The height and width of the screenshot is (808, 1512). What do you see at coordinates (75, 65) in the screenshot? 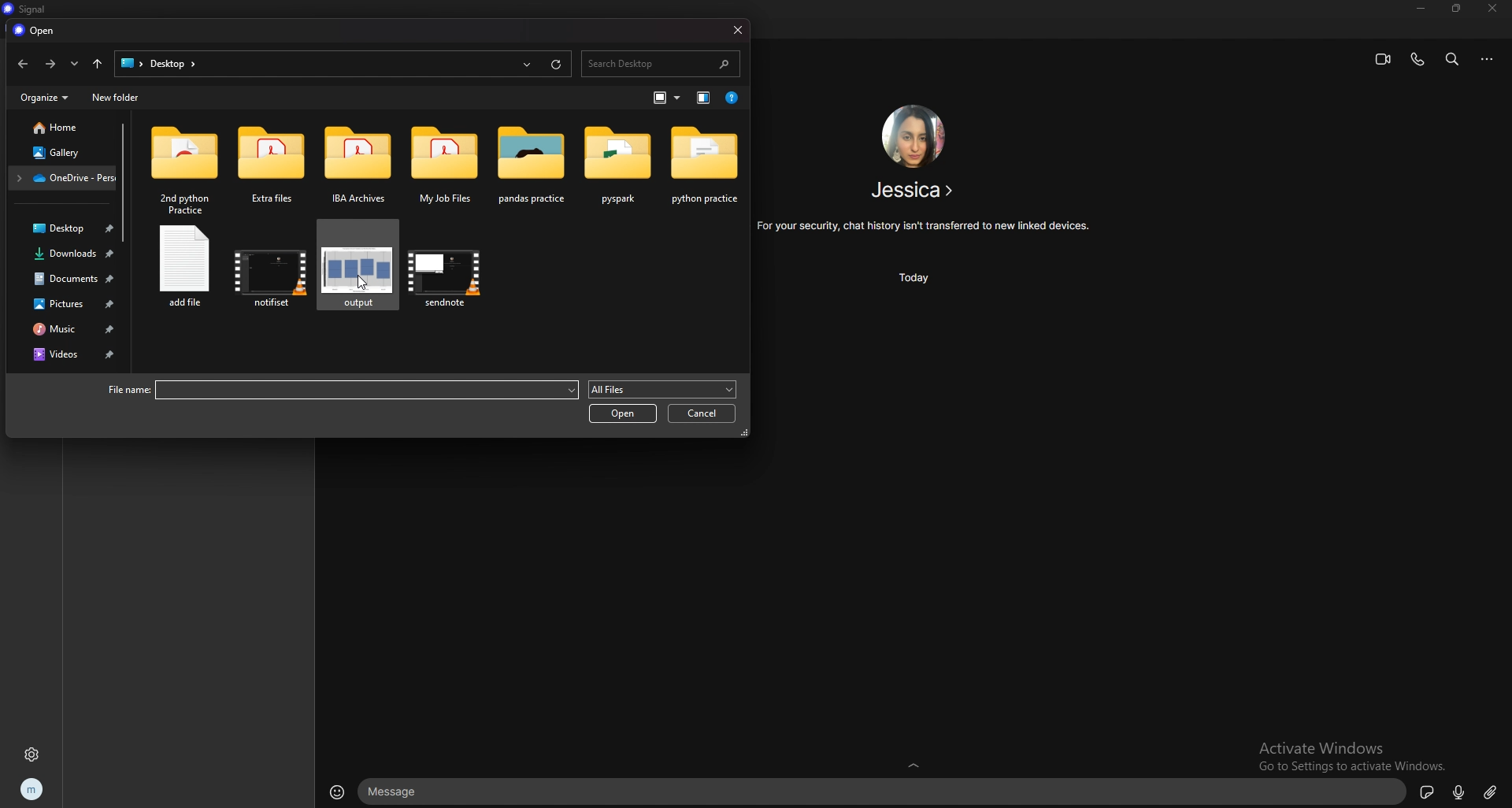
I see `recent` at bounding box center [75, 65].